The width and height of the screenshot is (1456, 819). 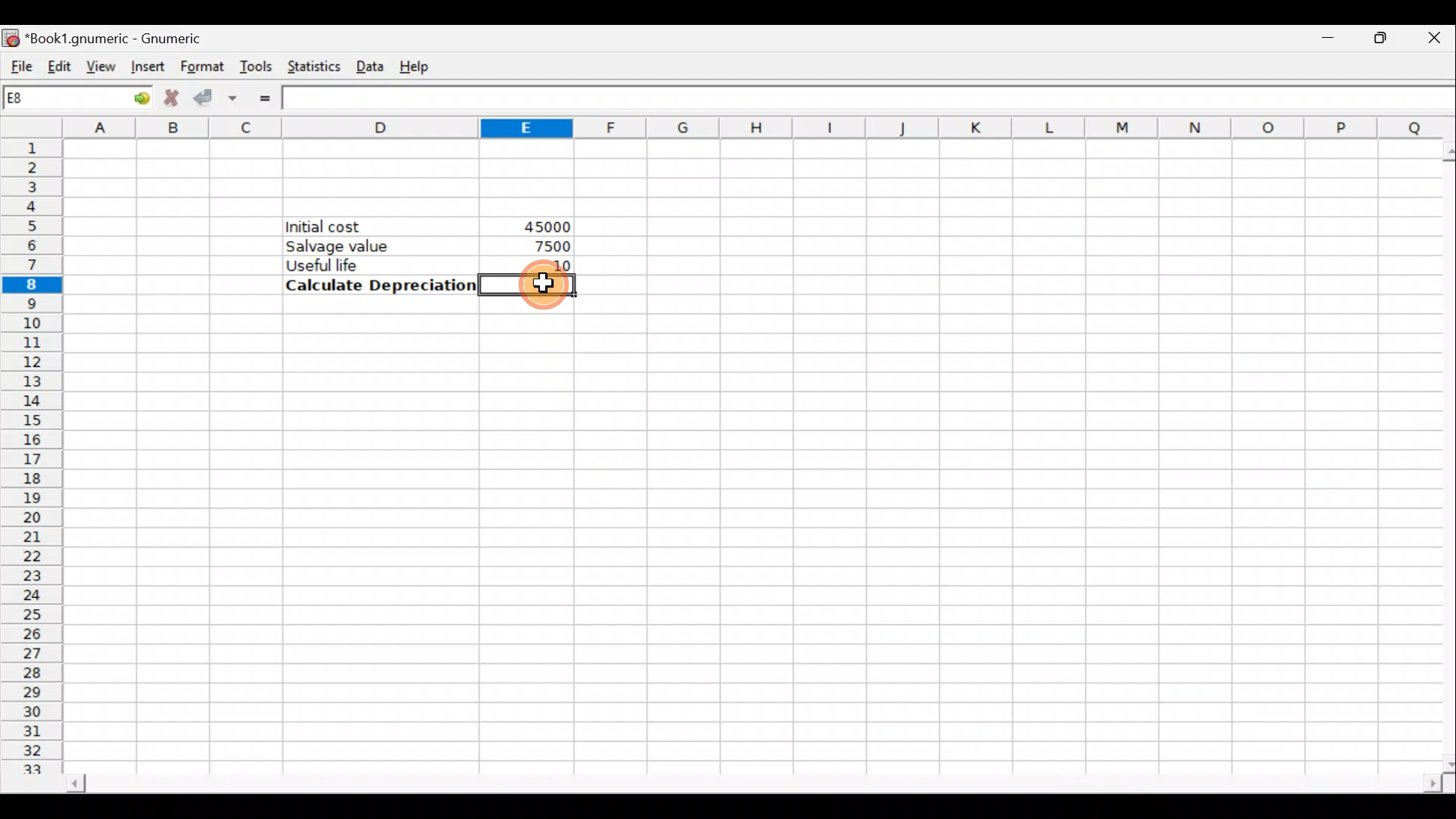 What do you see at coordinates (545, 246) in the screenshot?
I see `7500` at bounding box center [545, 246].